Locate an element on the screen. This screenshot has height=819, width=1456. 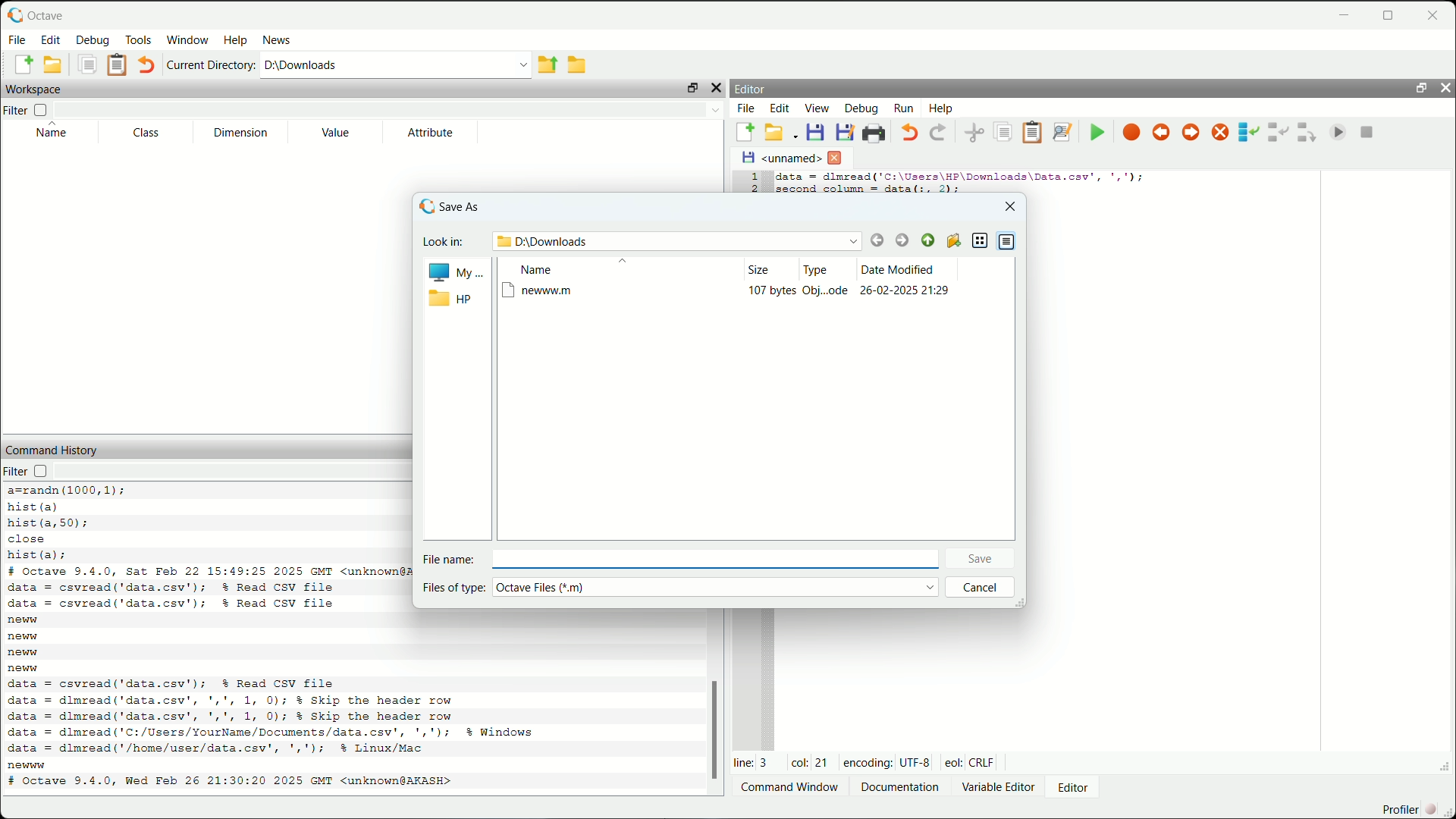
dimension is located at coordinates (237, 133).